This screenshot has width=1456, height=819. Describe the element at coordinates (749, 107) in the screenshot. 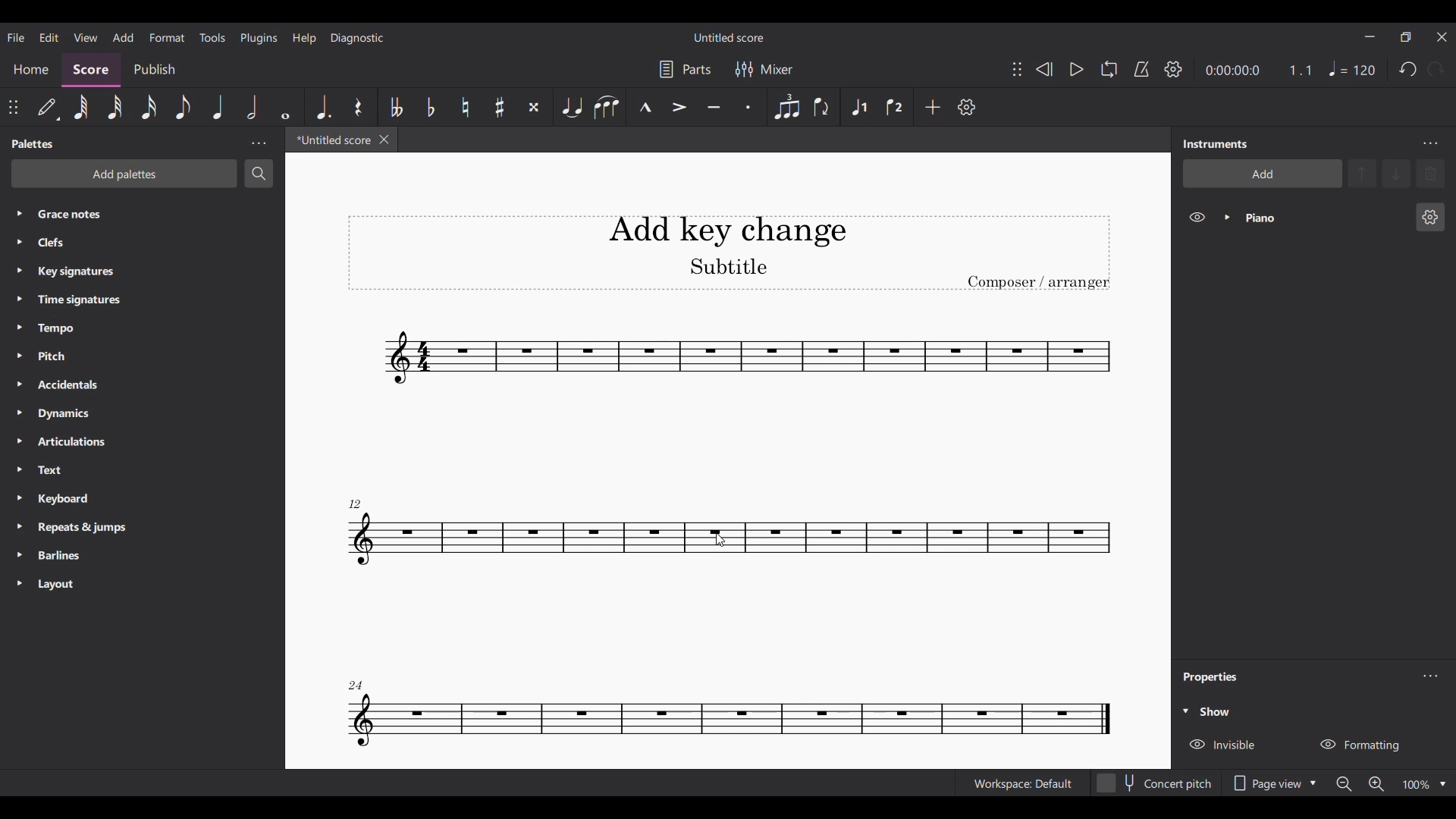

I see `Staccato` at that location.